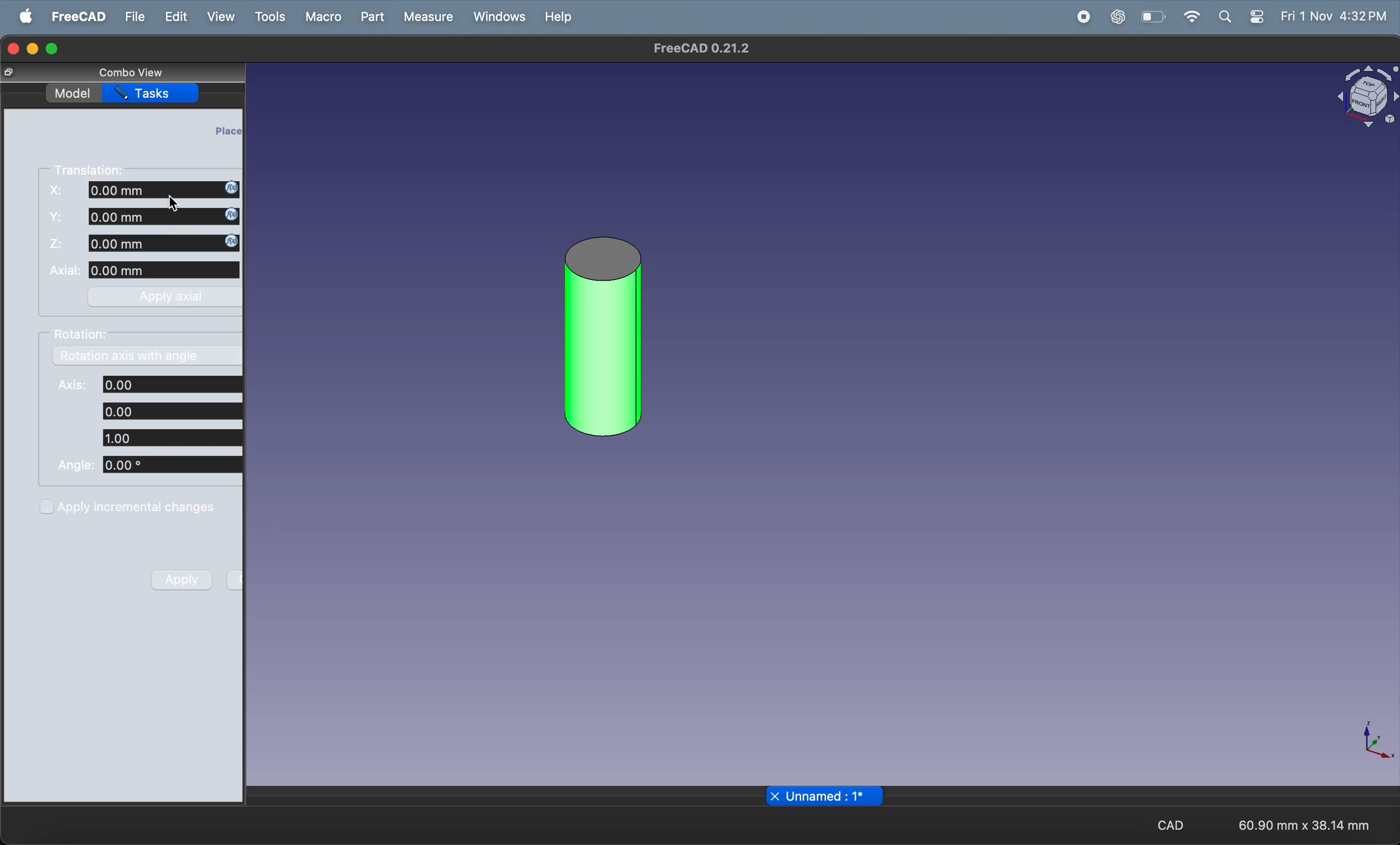  What do you see at coordinates (701, 48) in the screenshot?
I see `freeCad  0.21.2` at bounding box center [701, 48].